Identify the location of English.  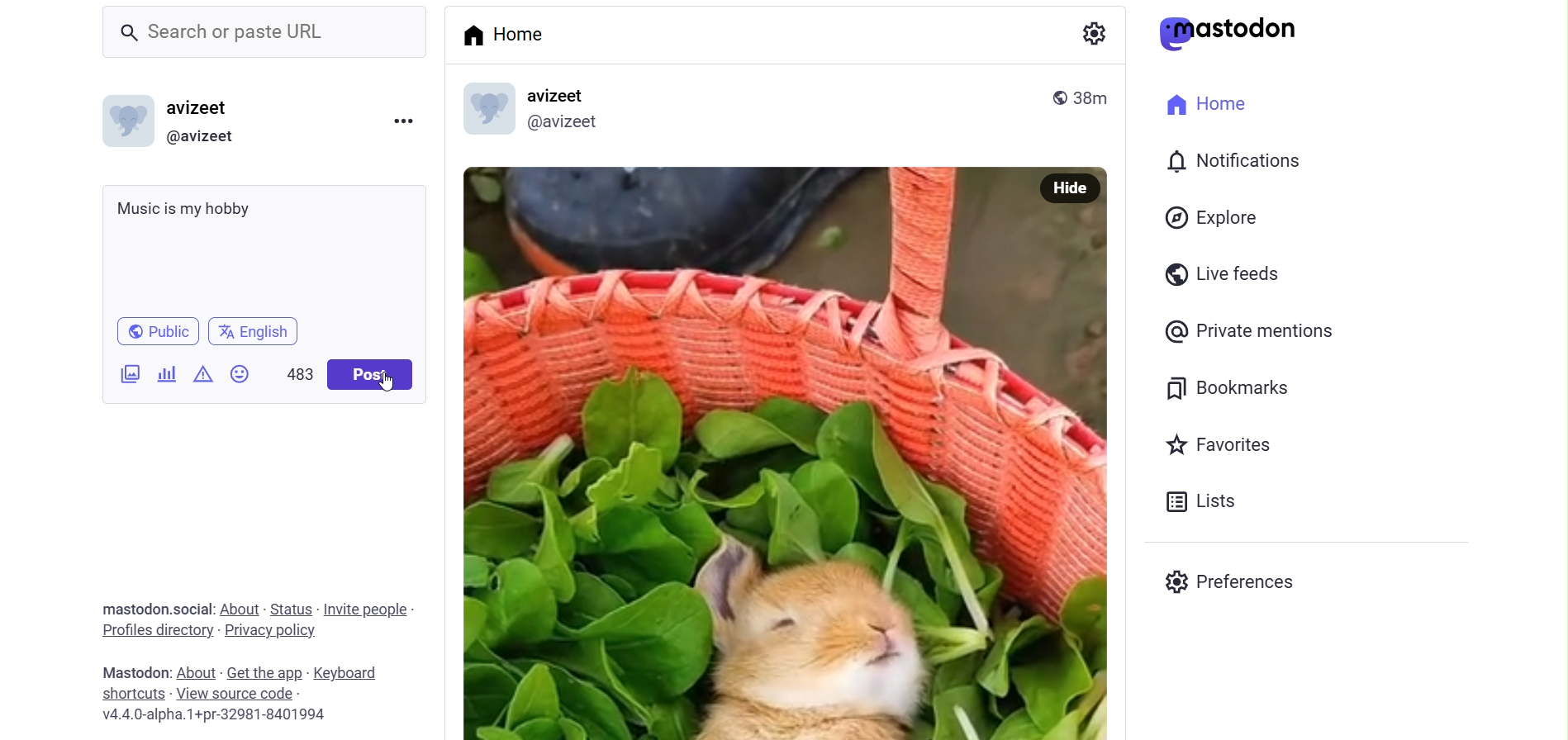
(259, 330).